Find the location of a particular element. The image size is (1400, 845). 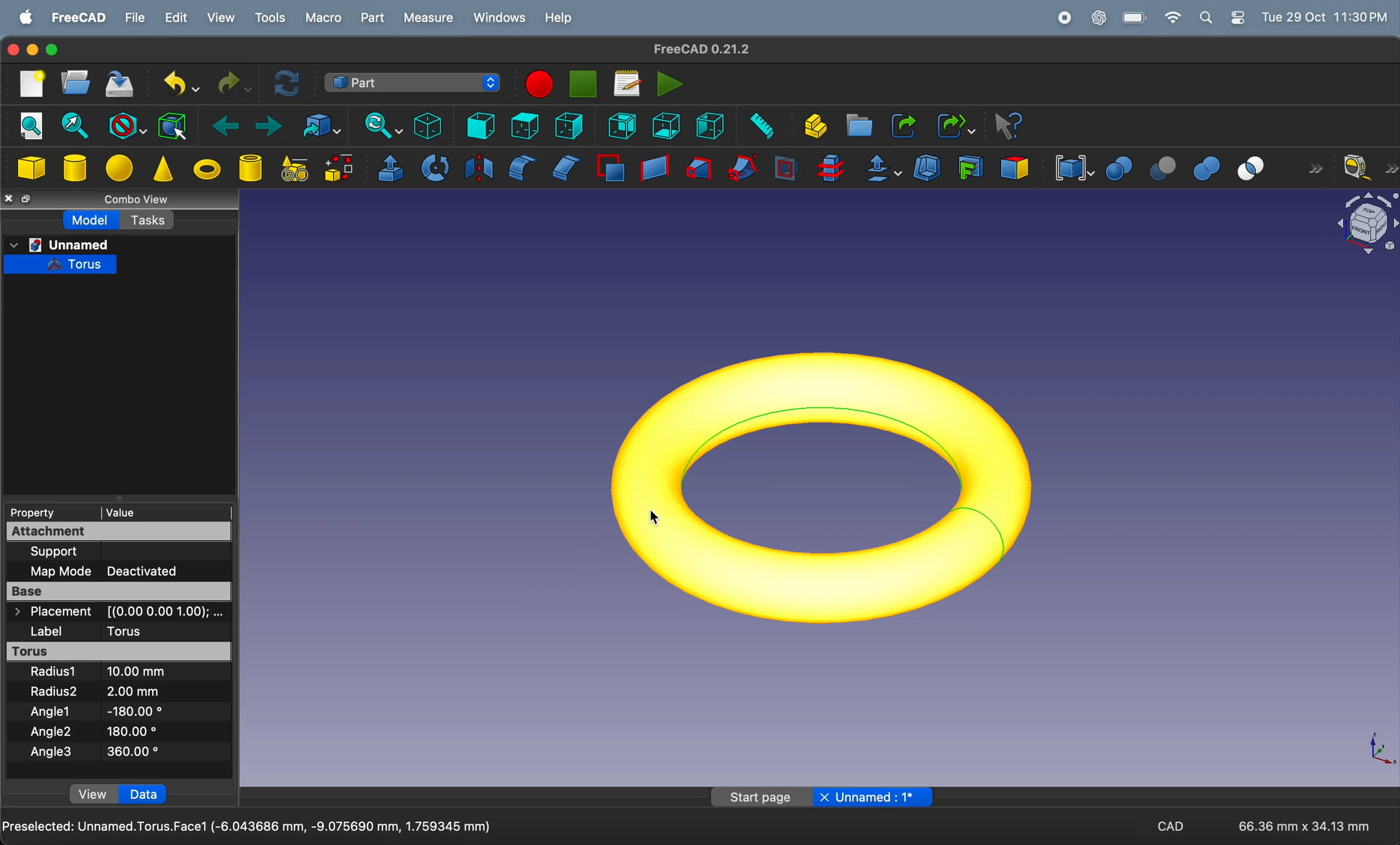

new is located at coordinates (28, 85).